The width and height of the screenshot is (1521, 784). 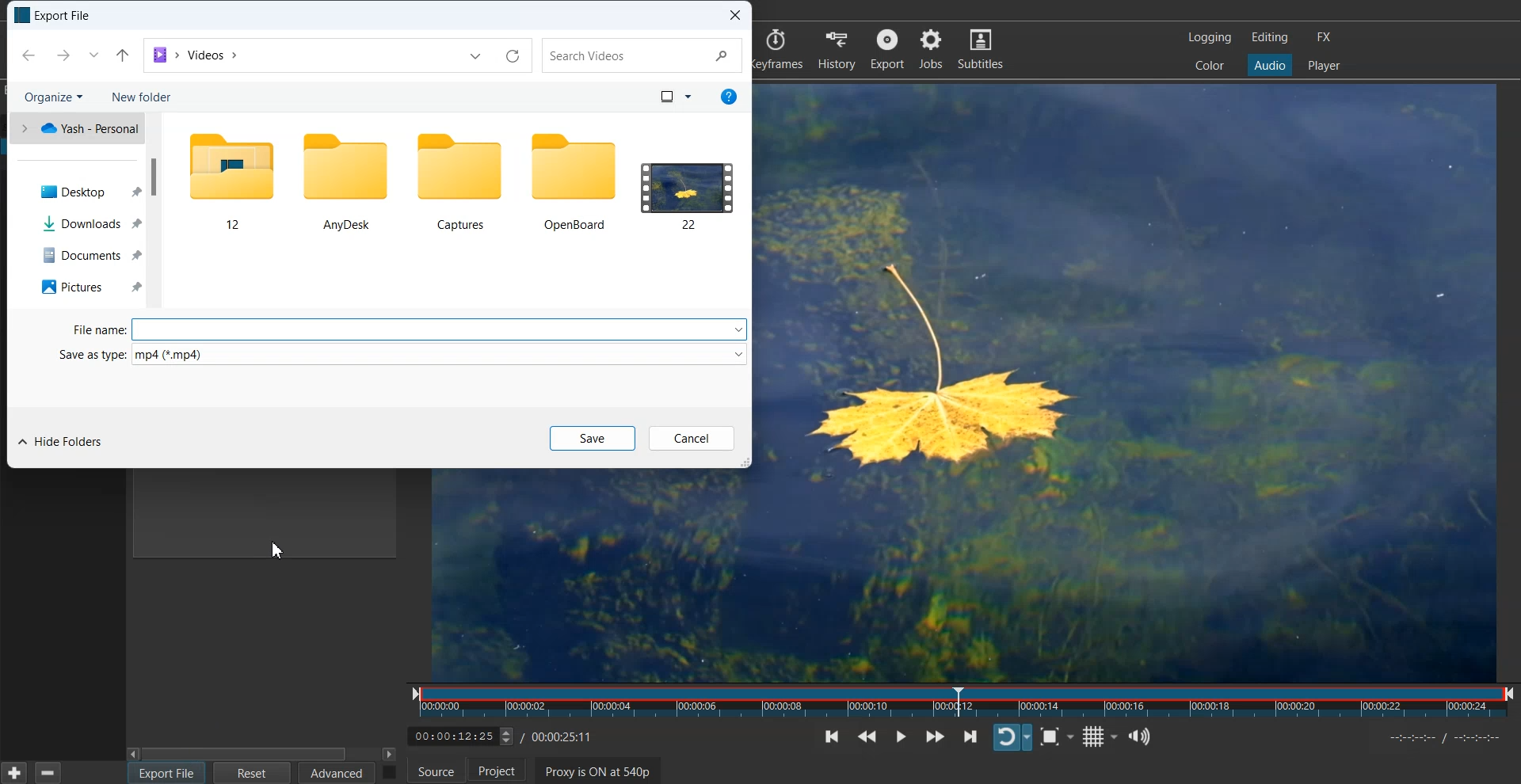 I want to click on Color, so click(x=1210, y=64).